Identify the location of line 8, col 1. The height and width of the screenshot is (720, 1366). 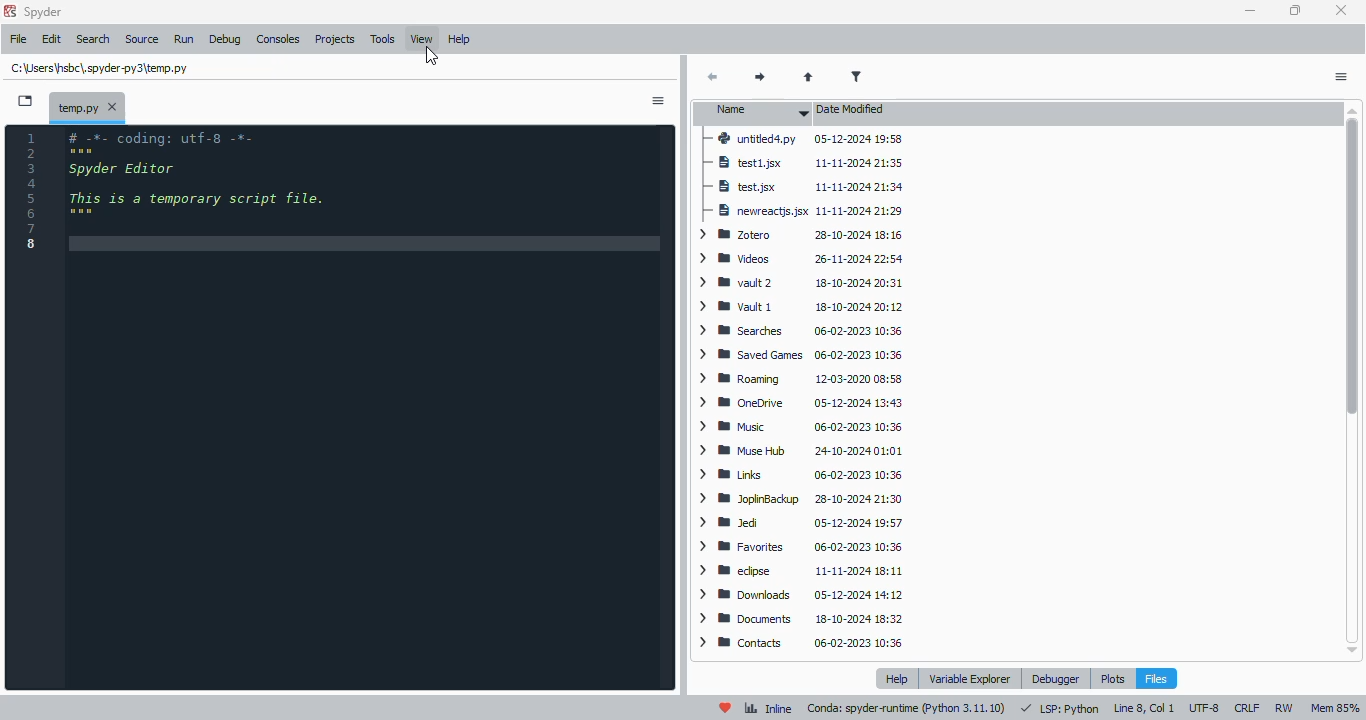
(1145, 708).